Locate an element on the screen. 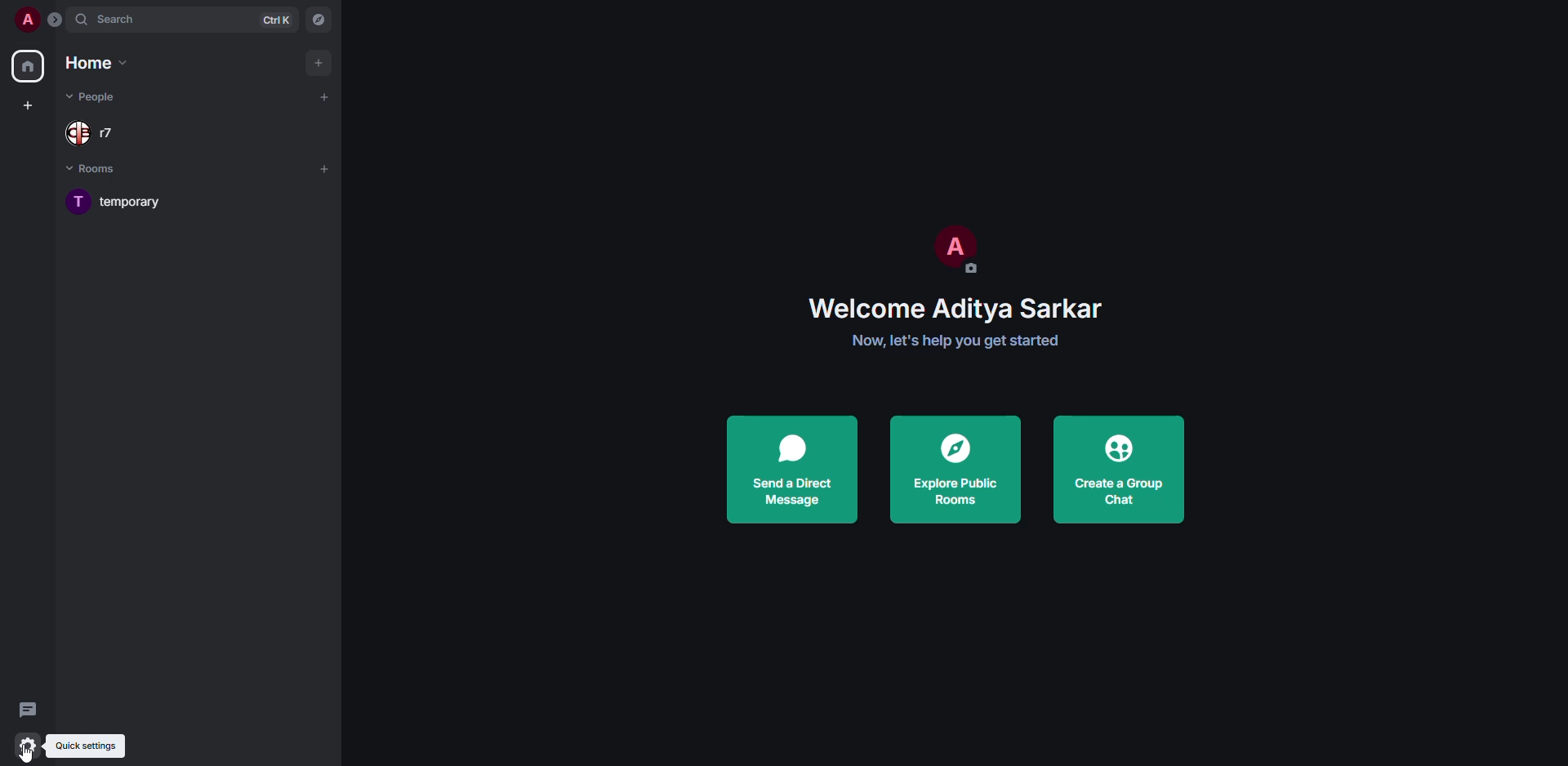 This screenshot has height=766, width=1568. add is located at coordinates (324, 169).